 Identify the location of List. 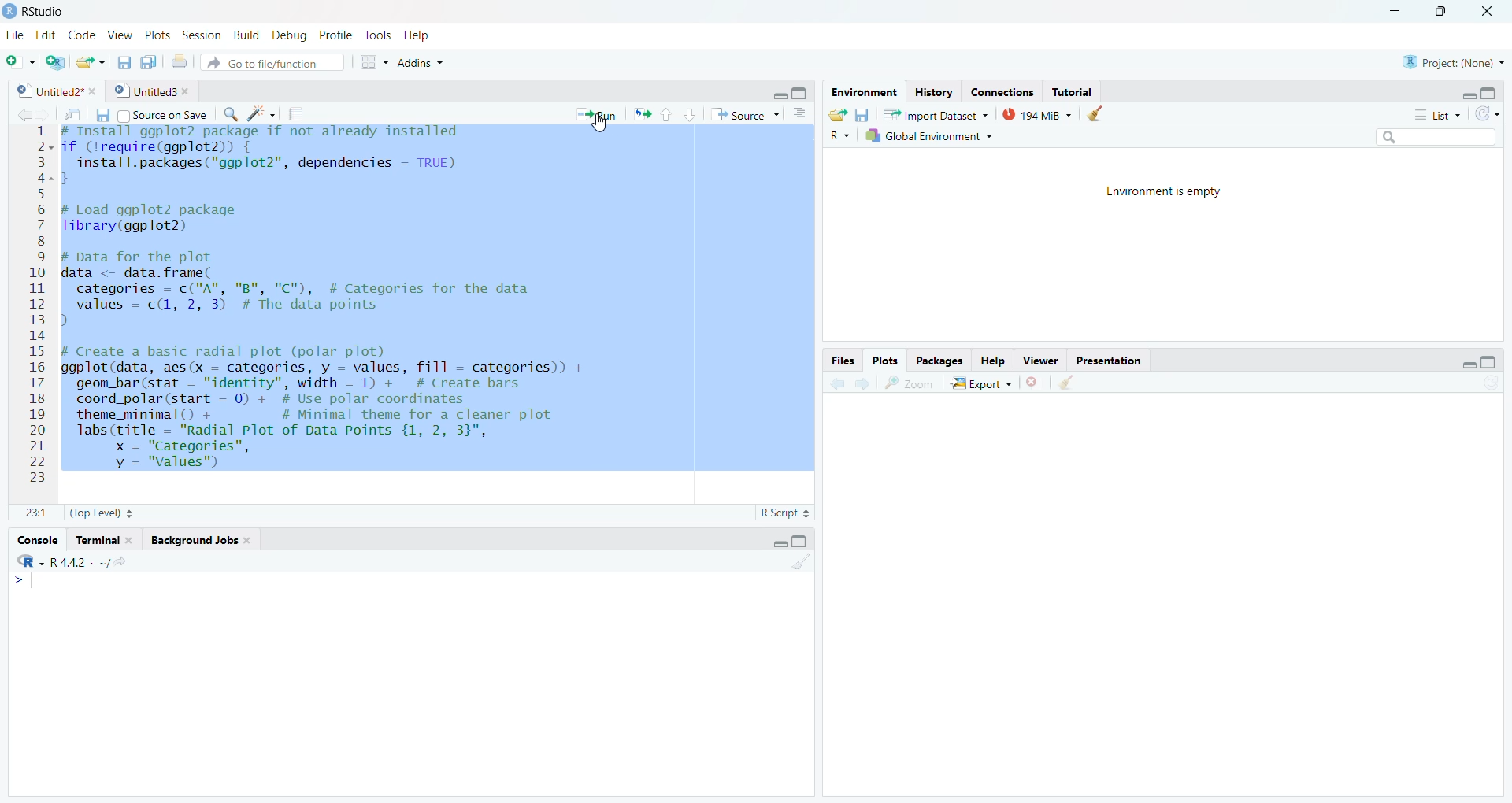
(1436, 114).